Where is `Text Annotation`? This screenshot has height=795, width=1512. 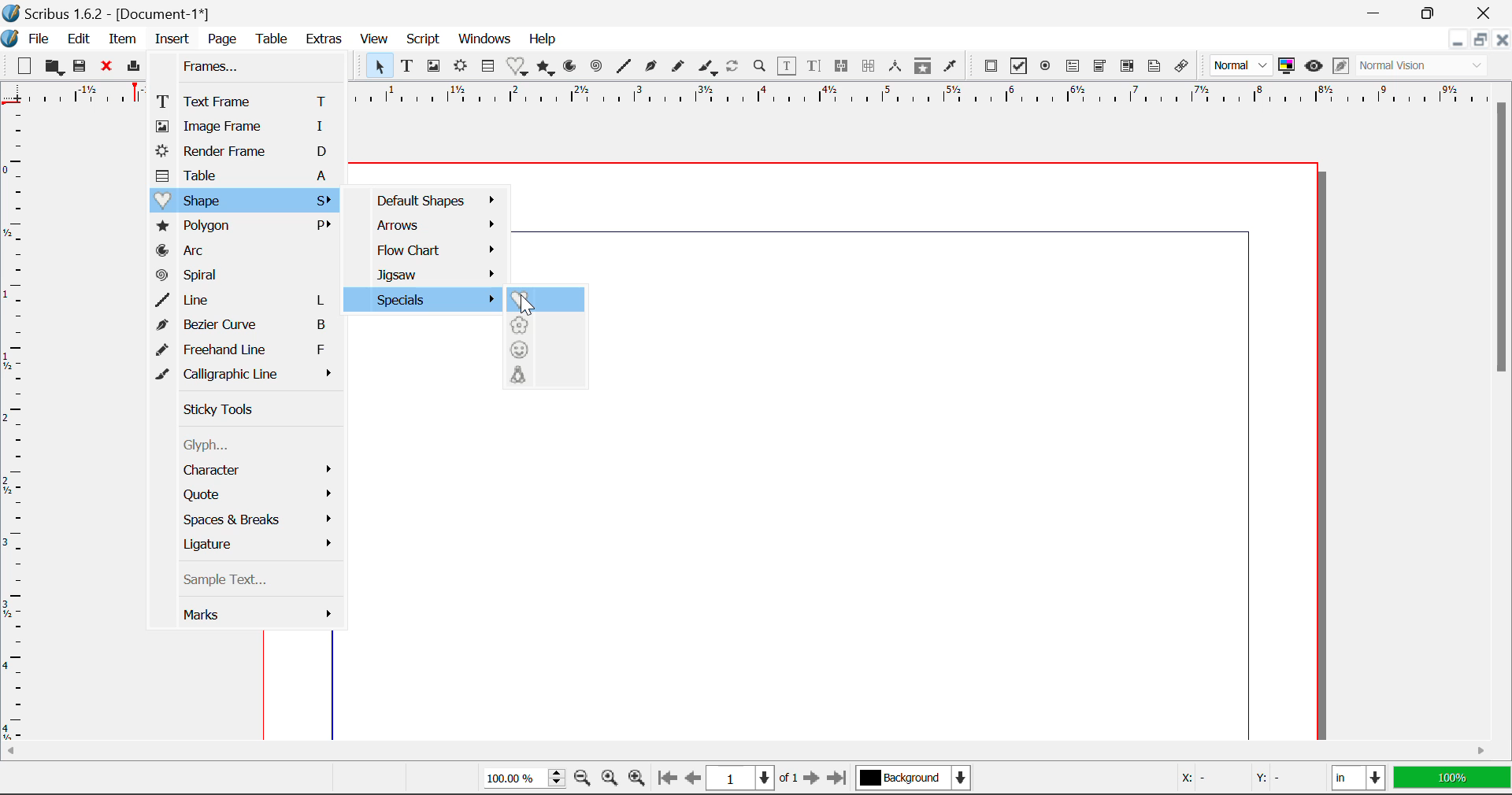
Text Annotation is located at coordinates (1153, 67).